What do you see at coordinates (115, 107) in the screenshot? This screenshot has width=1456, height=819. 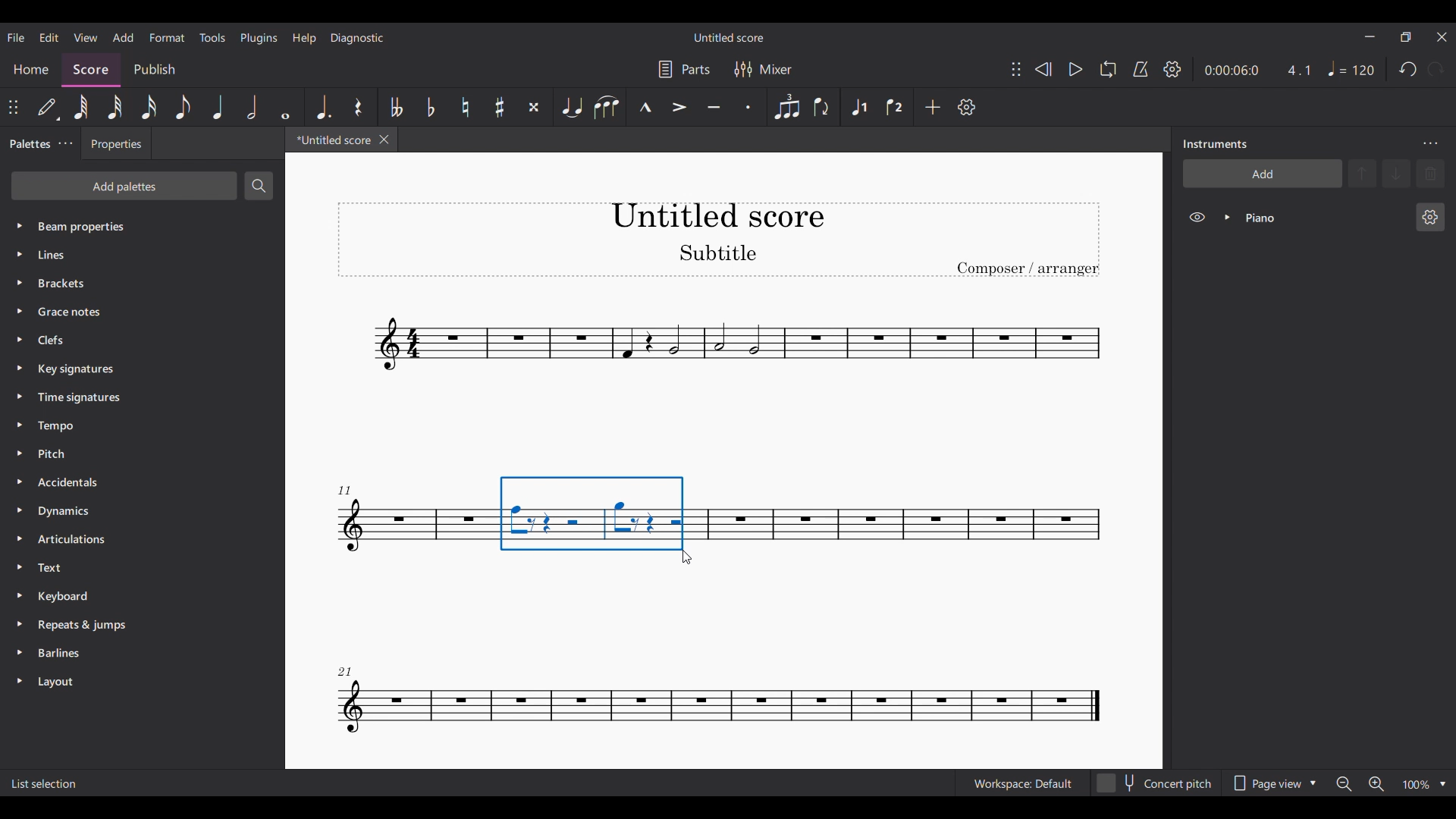 I see `32nd note` at bounding box center [115, 107].